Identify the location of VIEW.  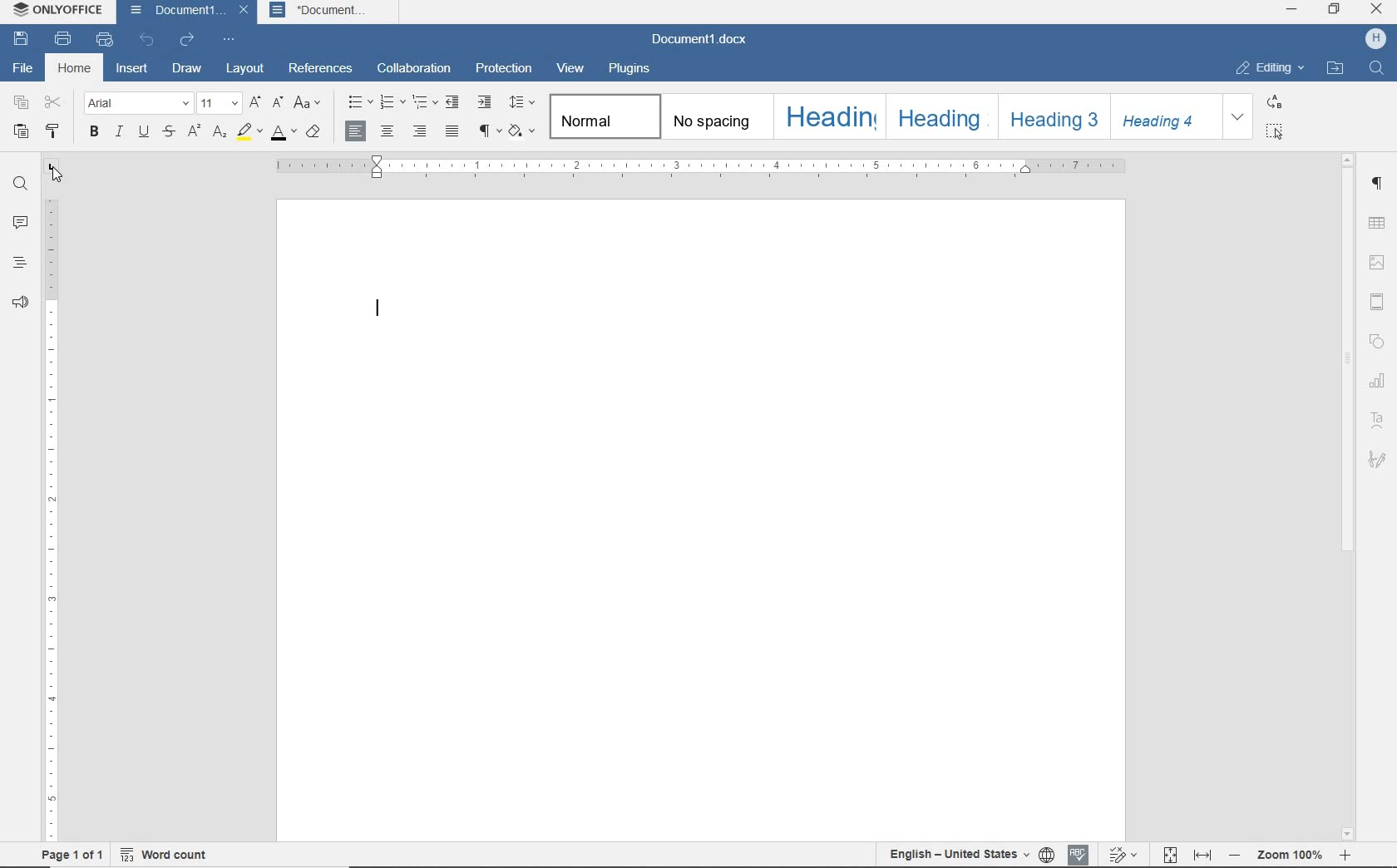
(571, 69).